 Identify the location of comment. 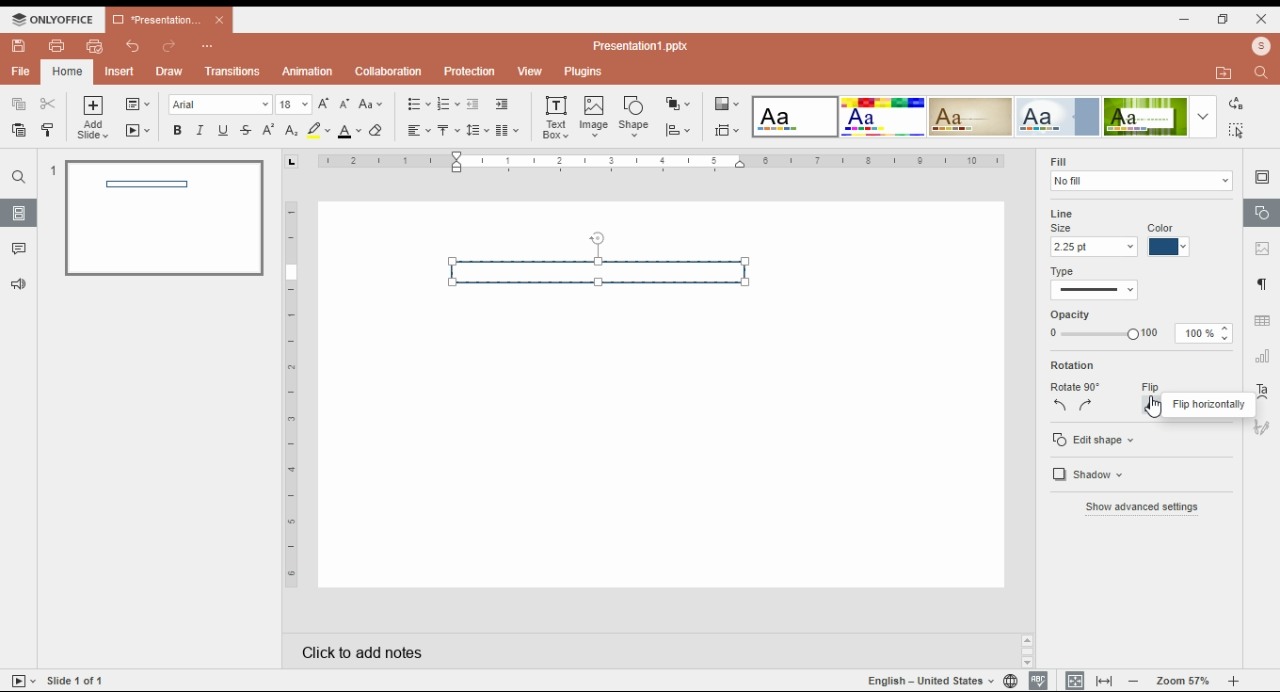
(21, 250).